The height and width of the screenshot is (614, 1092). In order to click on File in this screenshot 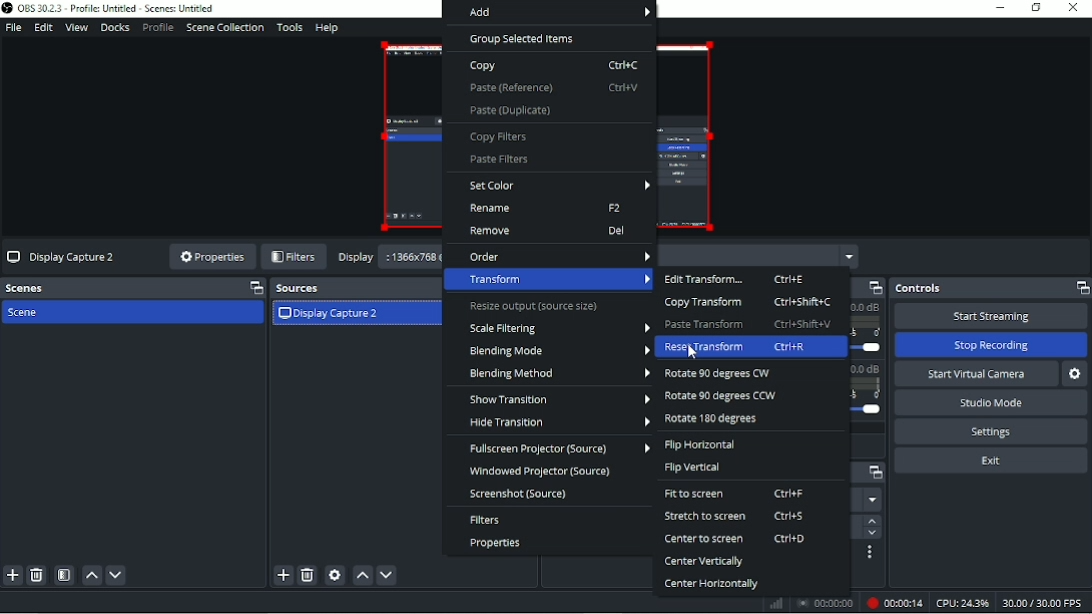, I will do `click(13, 27)`.